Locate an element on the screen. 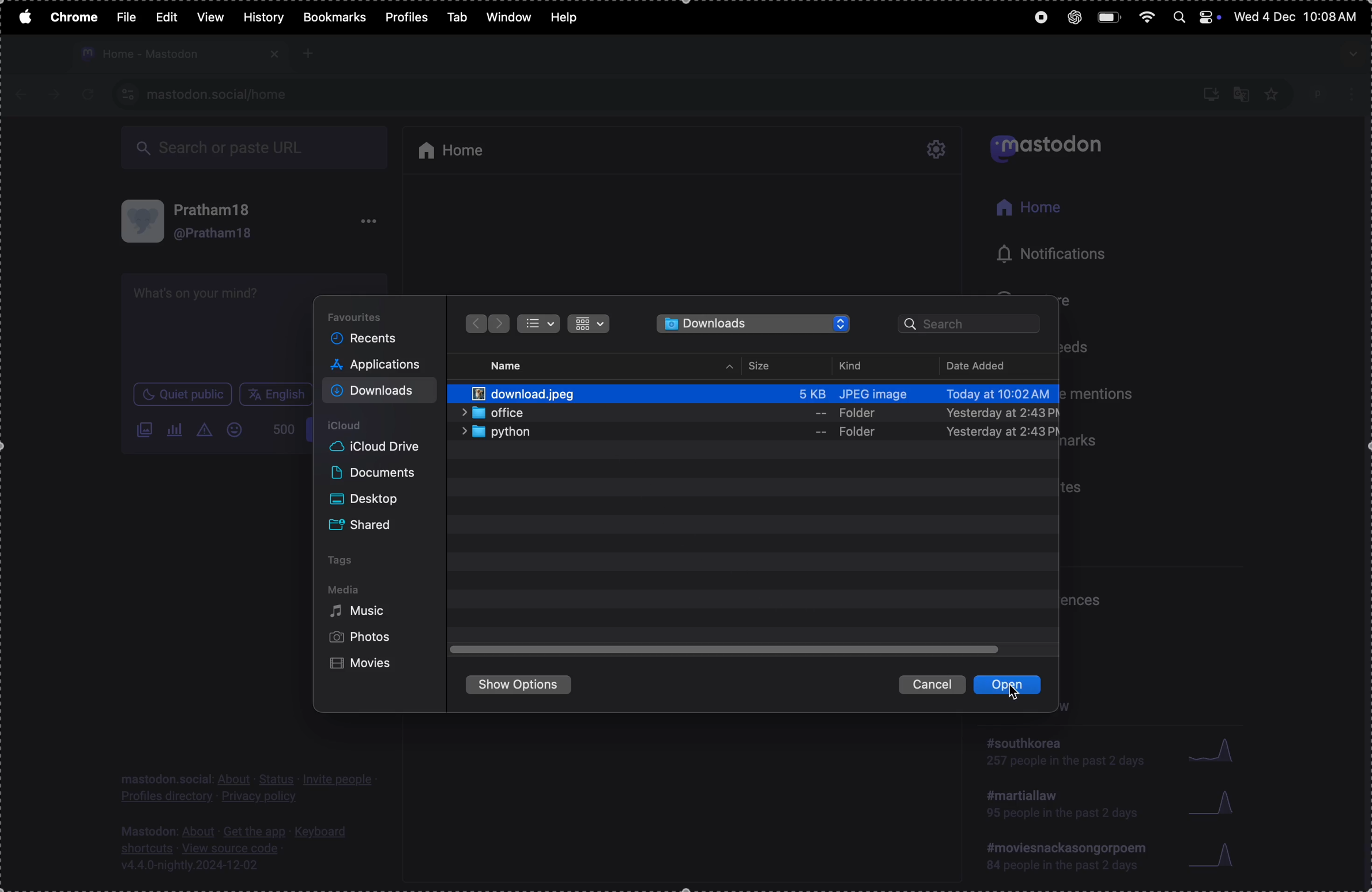  help is located at coordinates (570, 14).